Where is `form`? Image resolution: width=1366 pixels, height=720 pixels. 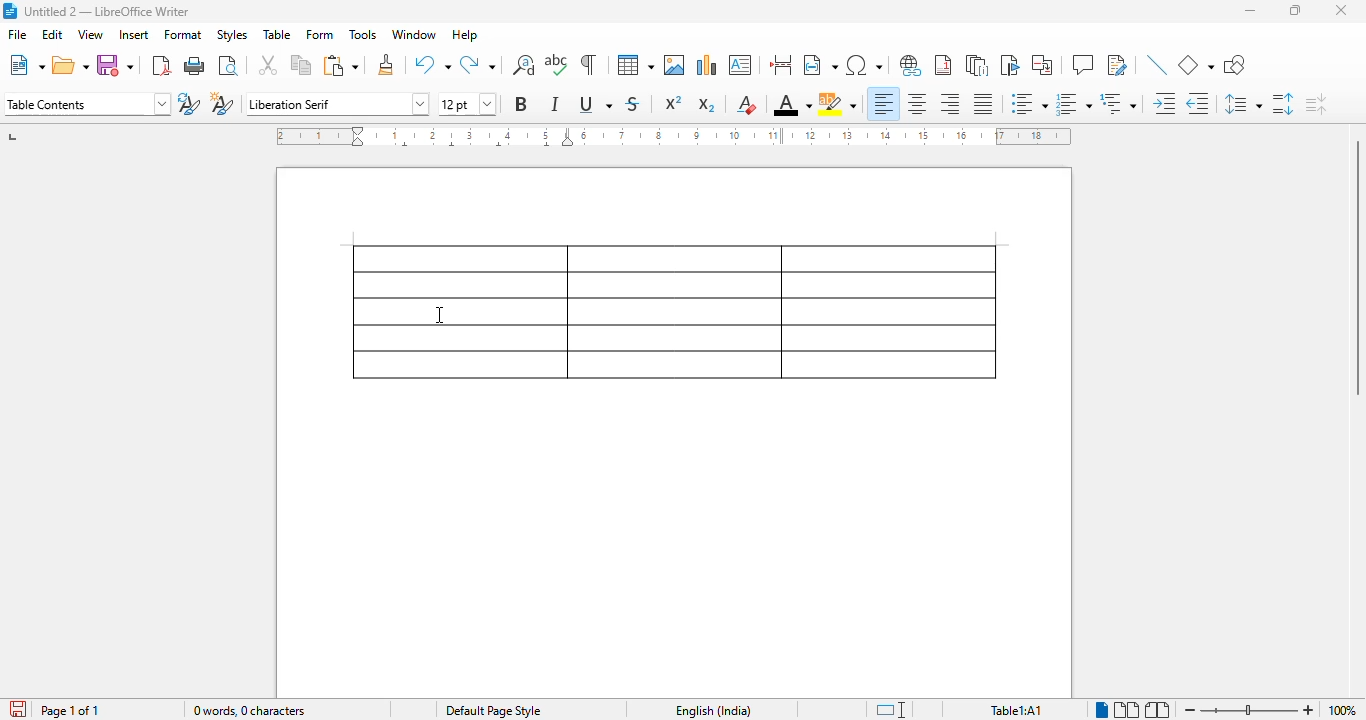 form is located at coordinates (321, 35).